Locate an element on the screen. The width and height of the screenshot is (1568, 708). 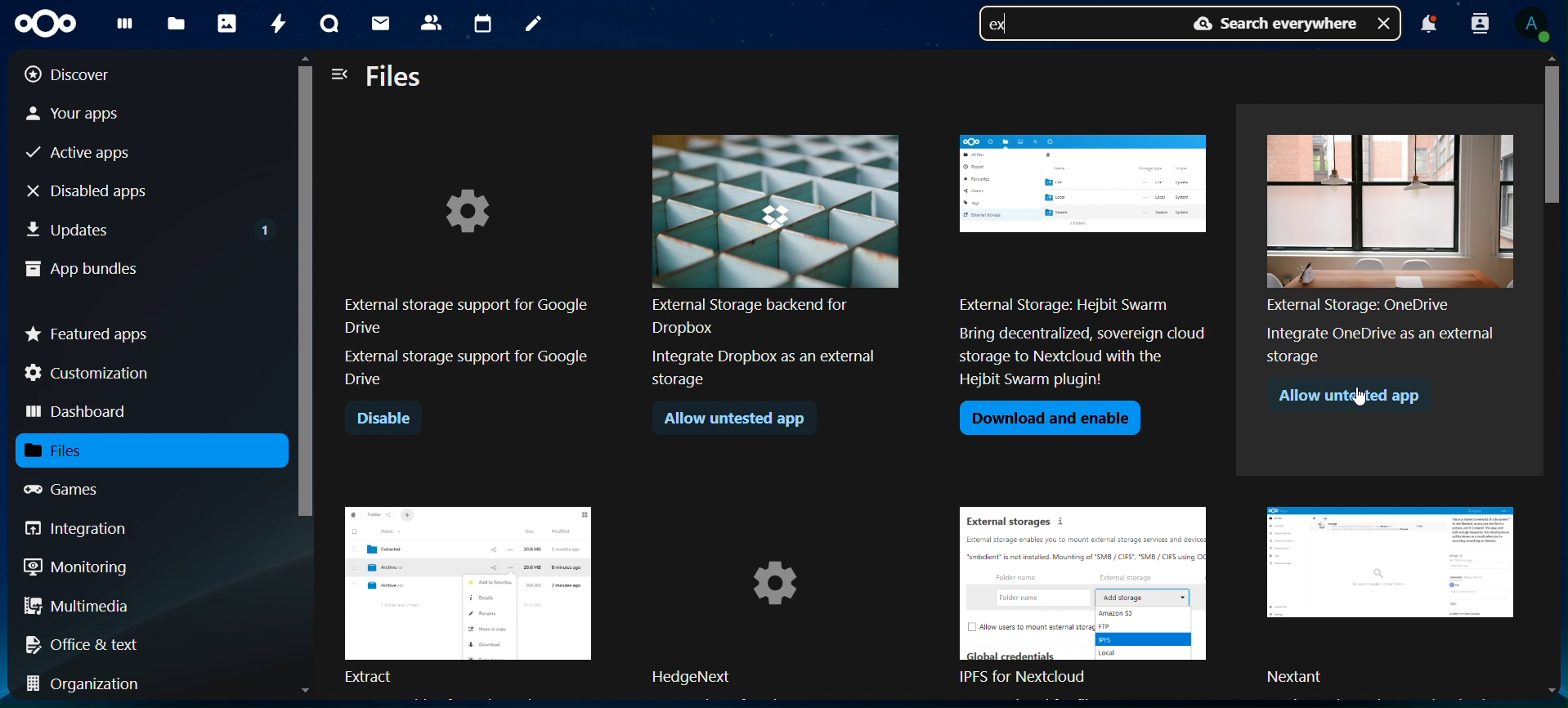
customization is located at coordinates (91, 373).